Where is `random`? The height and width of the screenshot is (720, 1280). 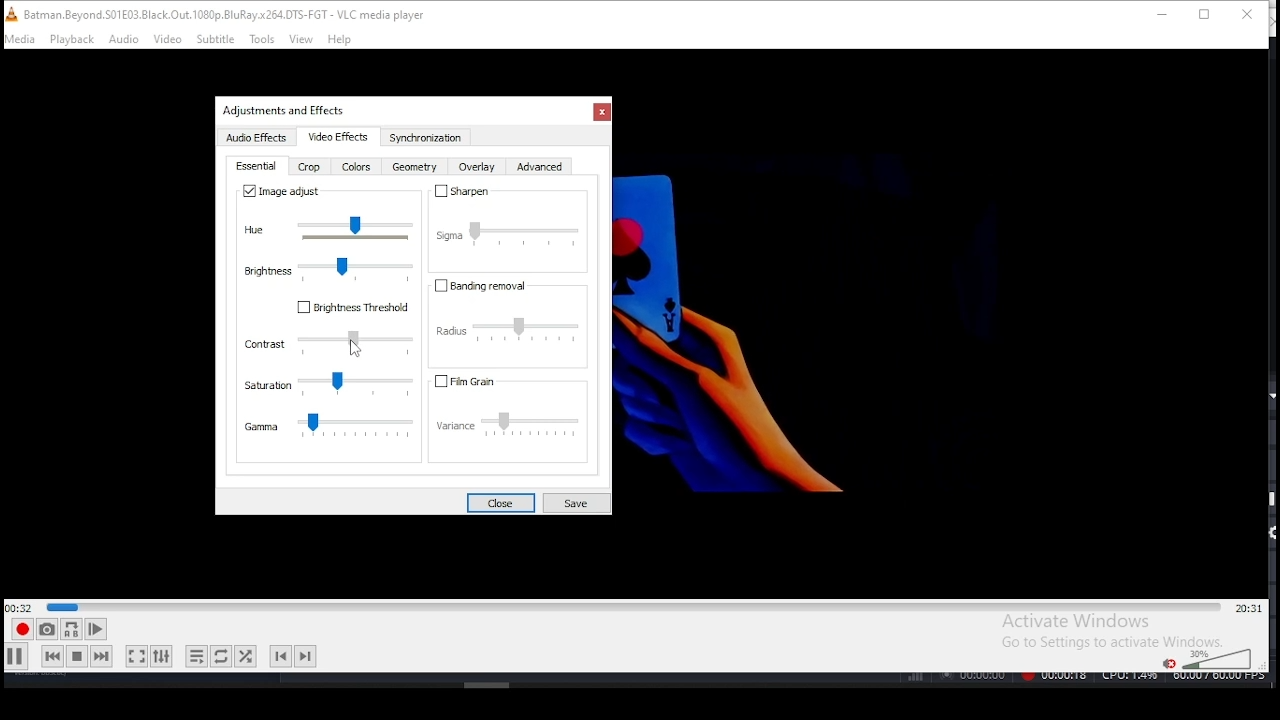 random is located at coordinates (246, 655).